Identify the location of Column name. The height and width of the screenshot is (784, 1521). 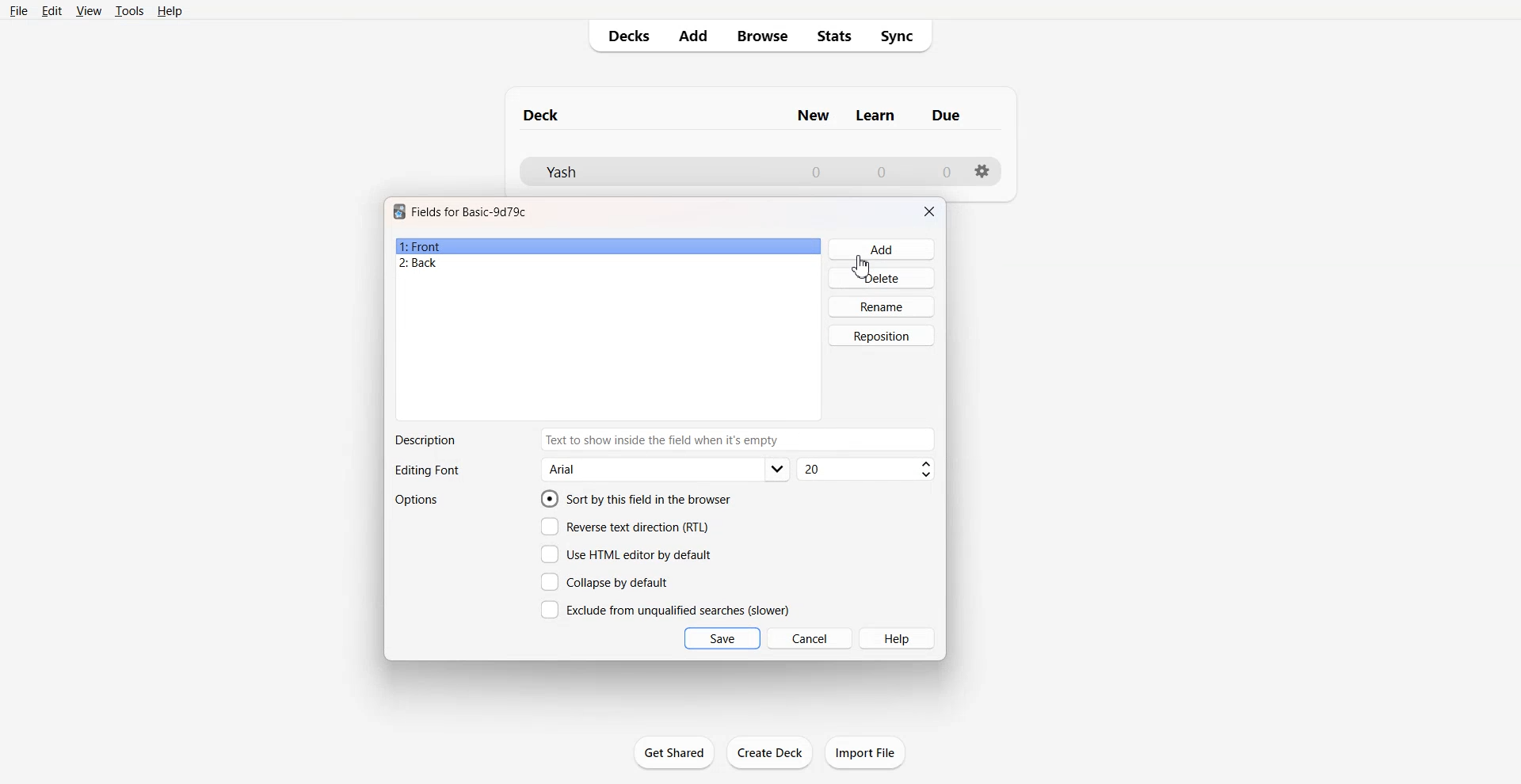
(813, 116).